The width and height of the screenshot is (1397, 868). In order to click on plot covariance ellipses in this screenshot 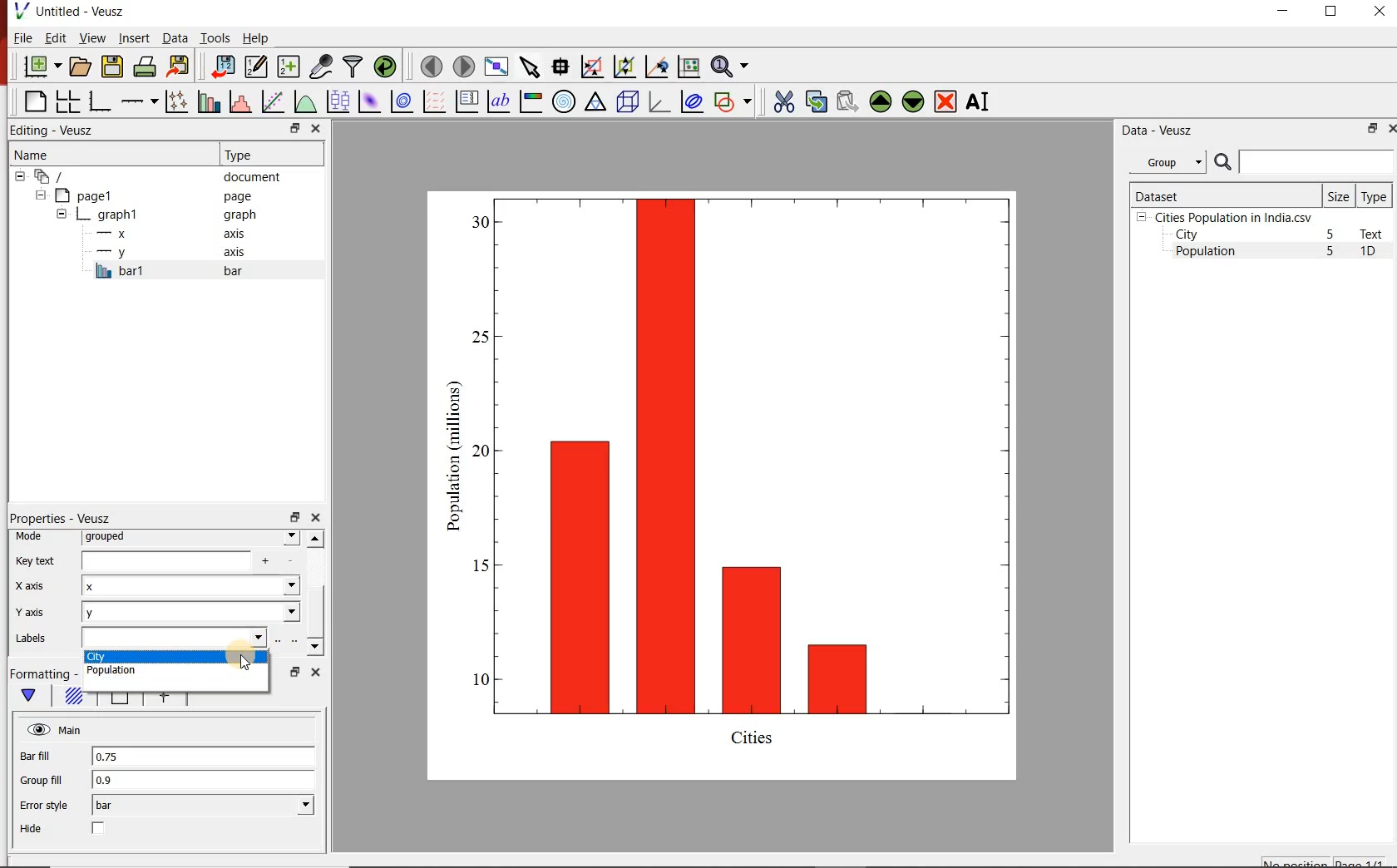, I will do `click(692, 102)`.